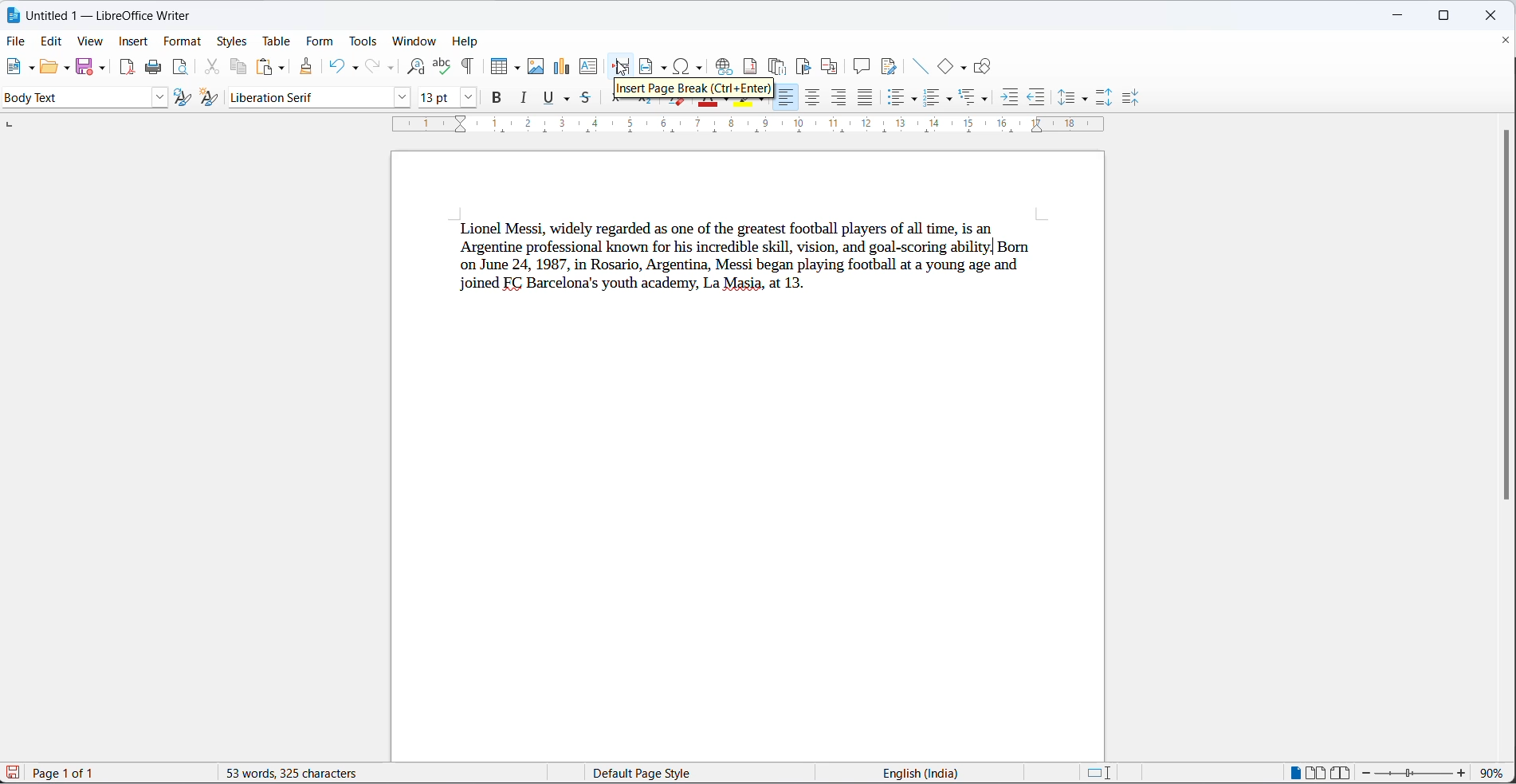  I want to click on font size options, so click(470, 99).